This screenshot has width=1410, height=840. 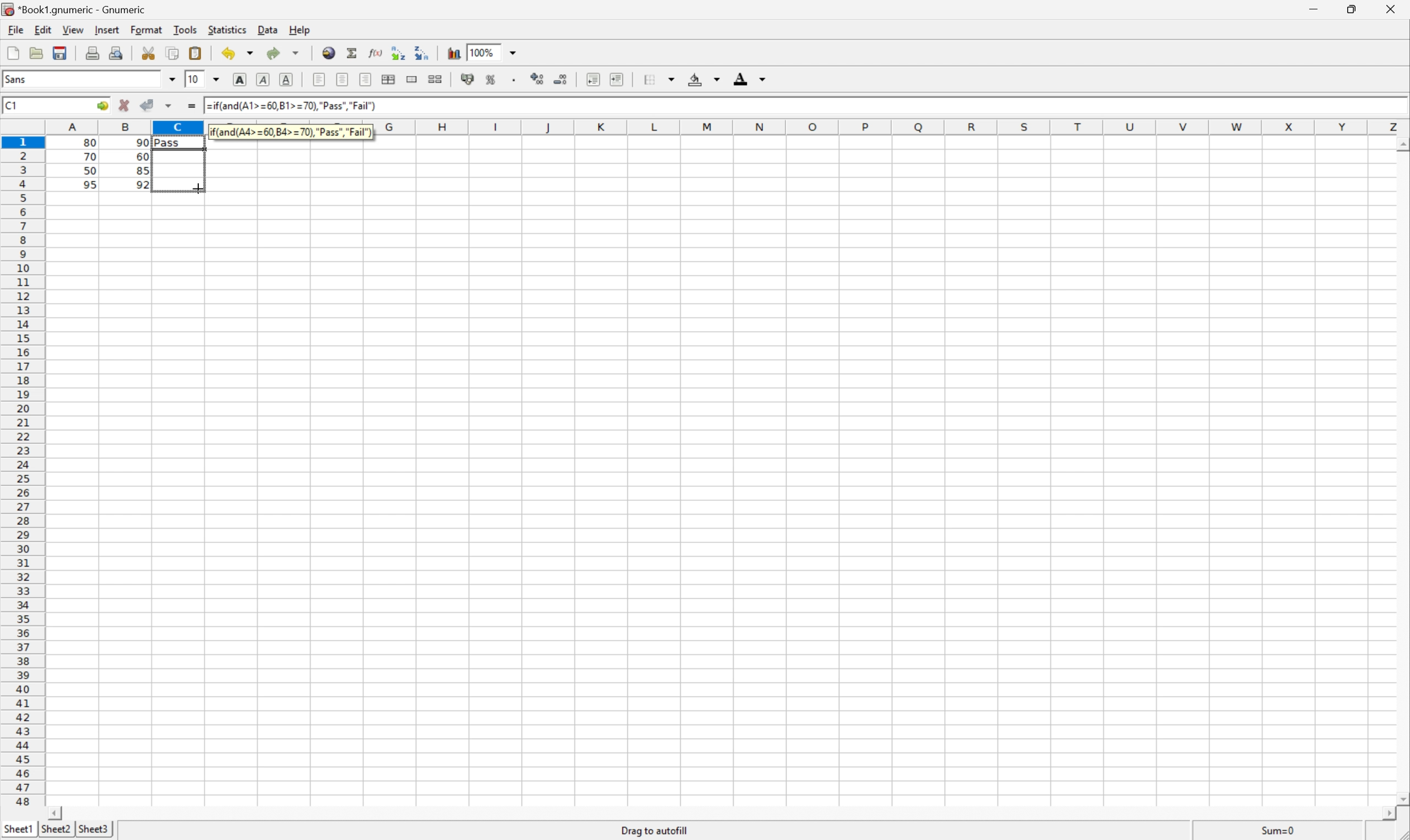 What do you see at coordinates (659, 76) in the screenshot?
I see `Borders` at bounding box center [659, 76].